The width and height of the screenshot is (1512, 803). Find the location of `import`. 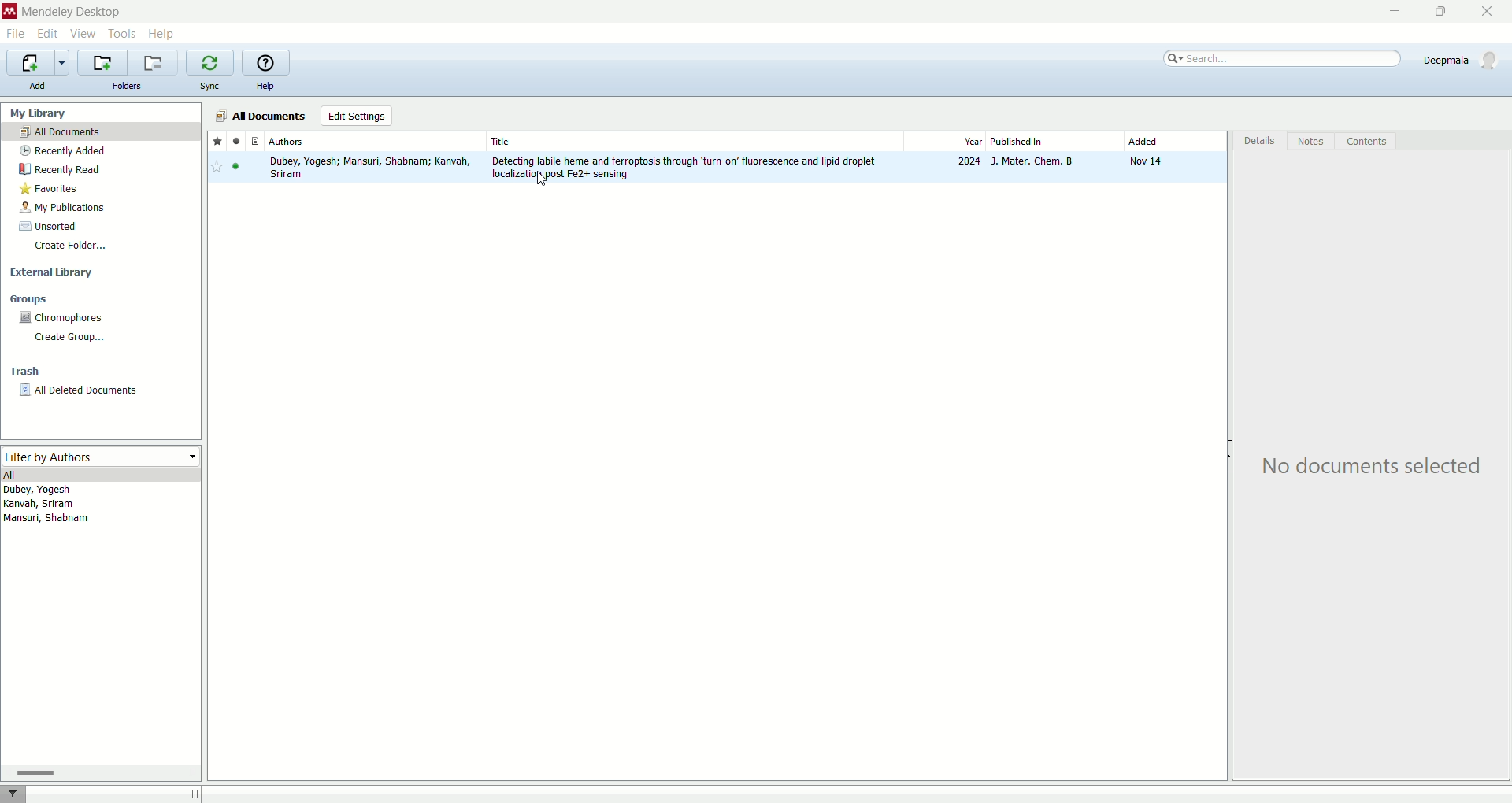

import is located at coordinates (38, 63).